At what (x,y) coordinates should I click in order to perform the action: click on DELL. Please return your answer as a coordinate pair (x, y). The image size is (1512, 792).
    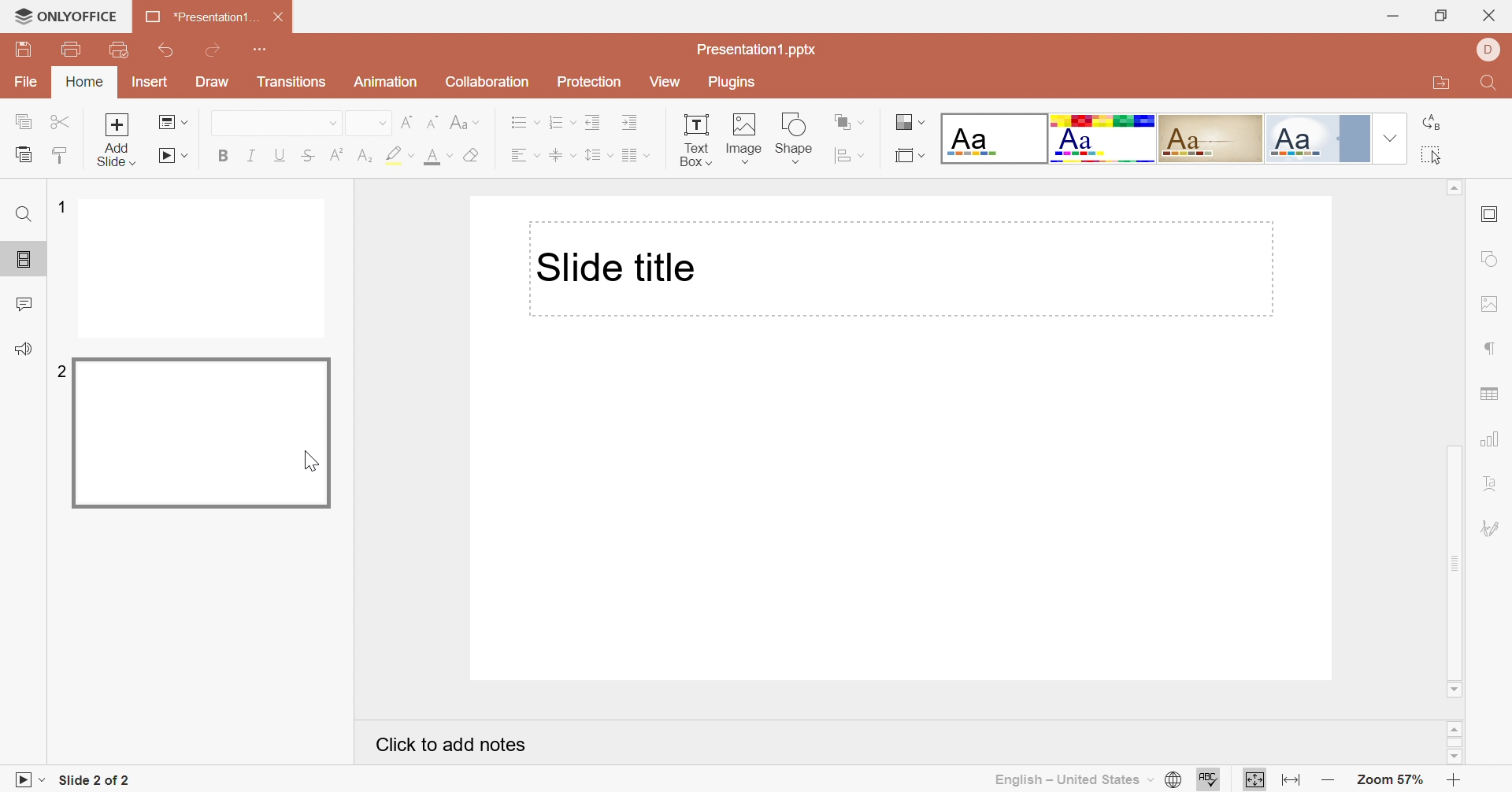
    Looking at the image, I should click on (1489, 50).